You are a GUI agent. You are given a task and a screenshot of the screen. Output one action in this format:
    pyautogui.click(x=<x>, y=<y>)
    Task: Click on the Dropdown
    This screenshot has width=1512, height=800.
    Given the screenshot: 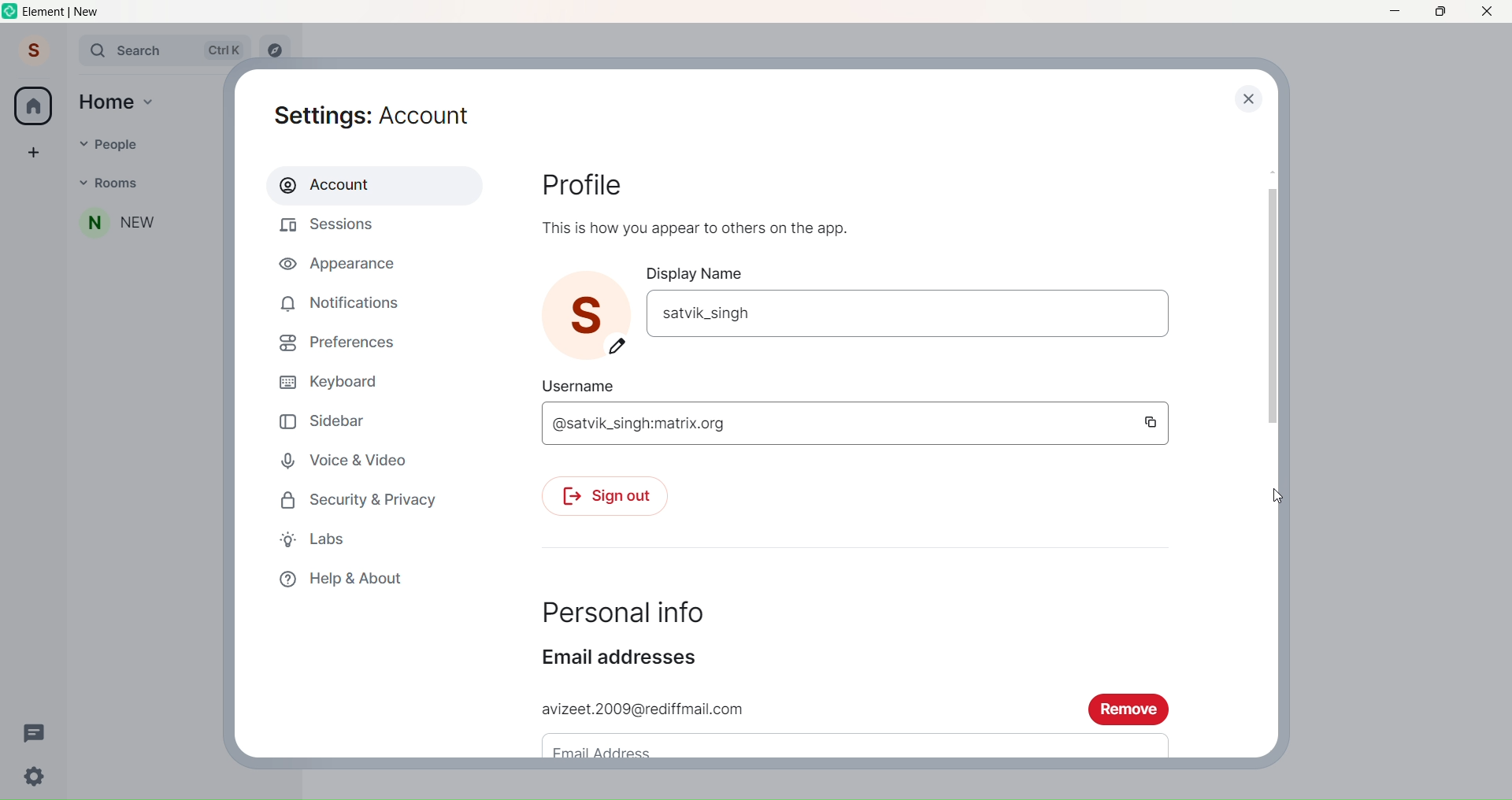 What is the action you would take?
    pyautogui.click(x=79, y=143)
    